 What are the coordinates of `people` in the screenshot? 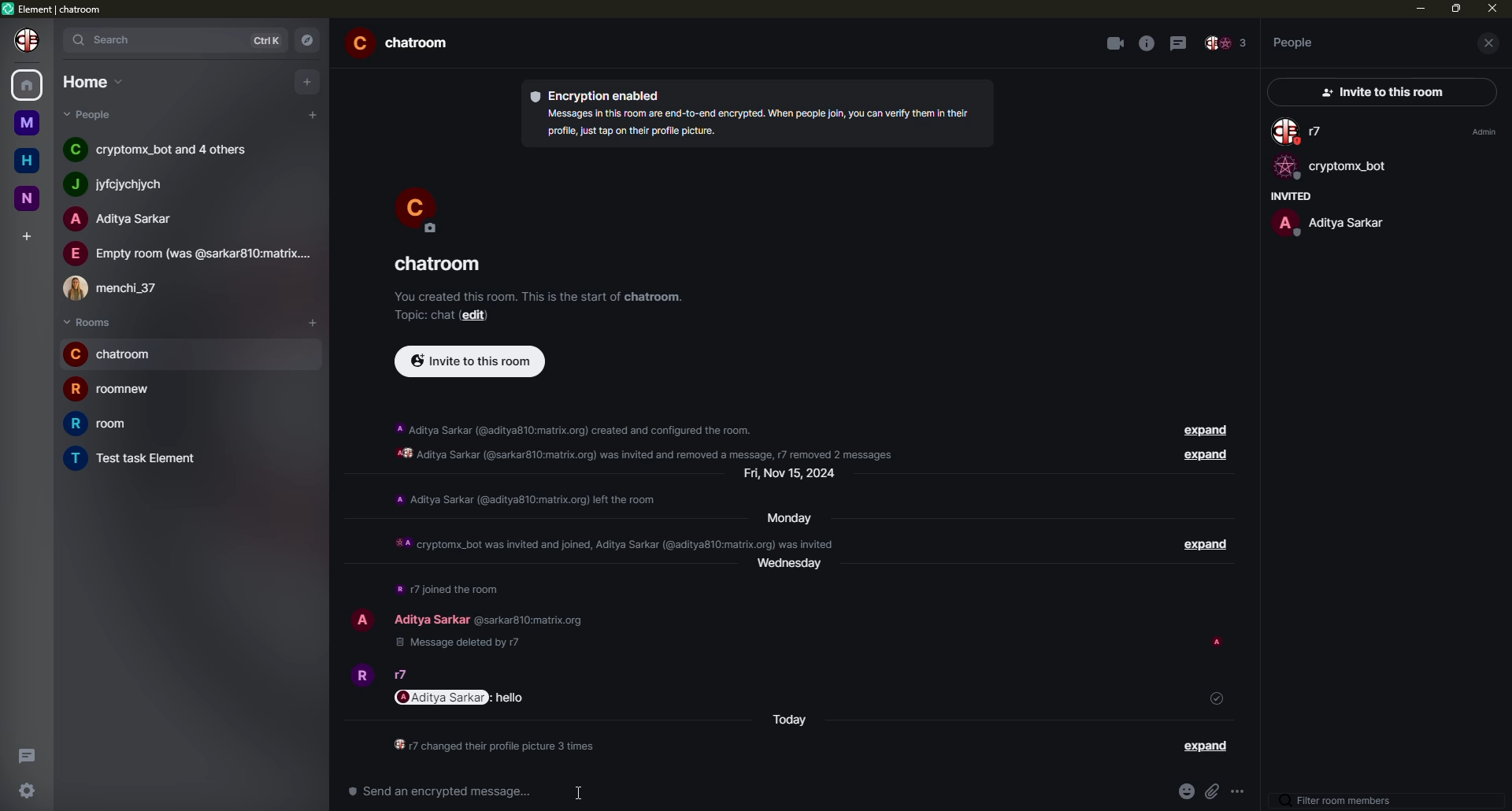 It's located at (189, 254).